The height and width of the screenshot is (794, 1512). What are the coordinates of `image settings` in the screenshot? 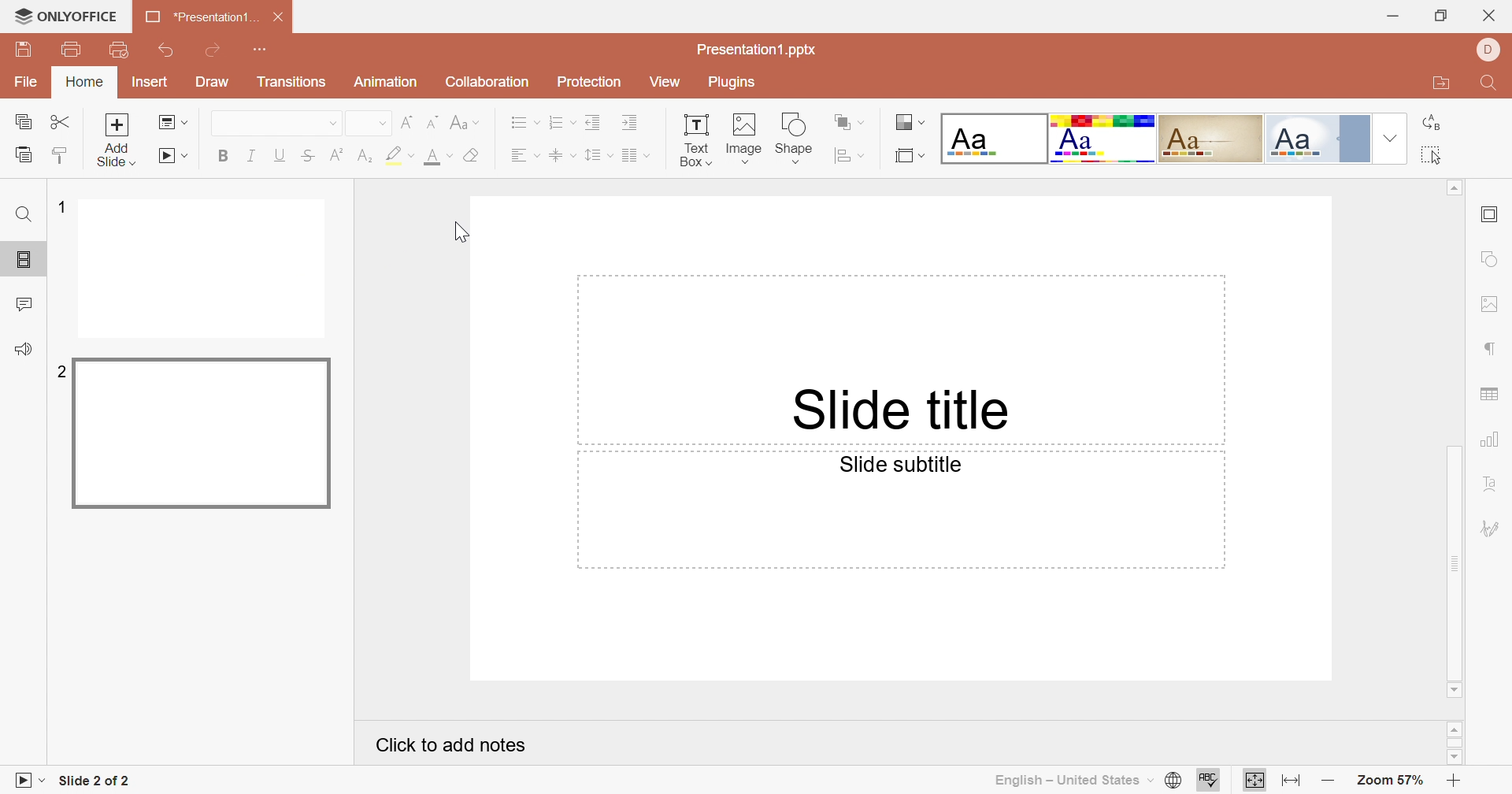 It's located at (1492, 305).